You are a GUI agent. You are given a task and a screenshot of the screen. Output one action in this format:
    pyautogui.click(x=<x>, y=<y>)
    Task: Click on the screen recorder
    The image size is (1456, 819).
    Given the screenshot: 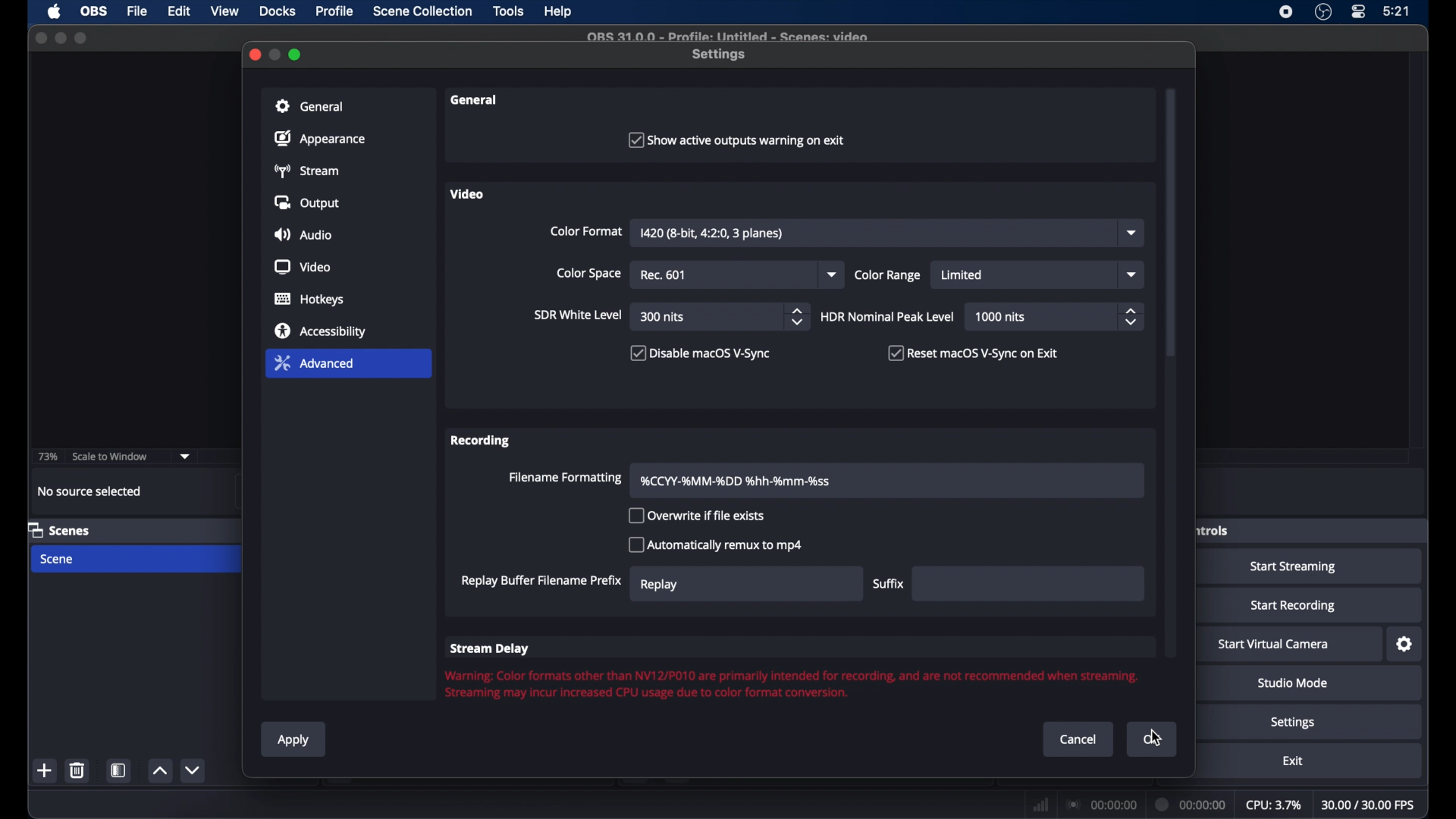 What is the action you would take?
    pyautogui.click(x=1287, y=11)
    